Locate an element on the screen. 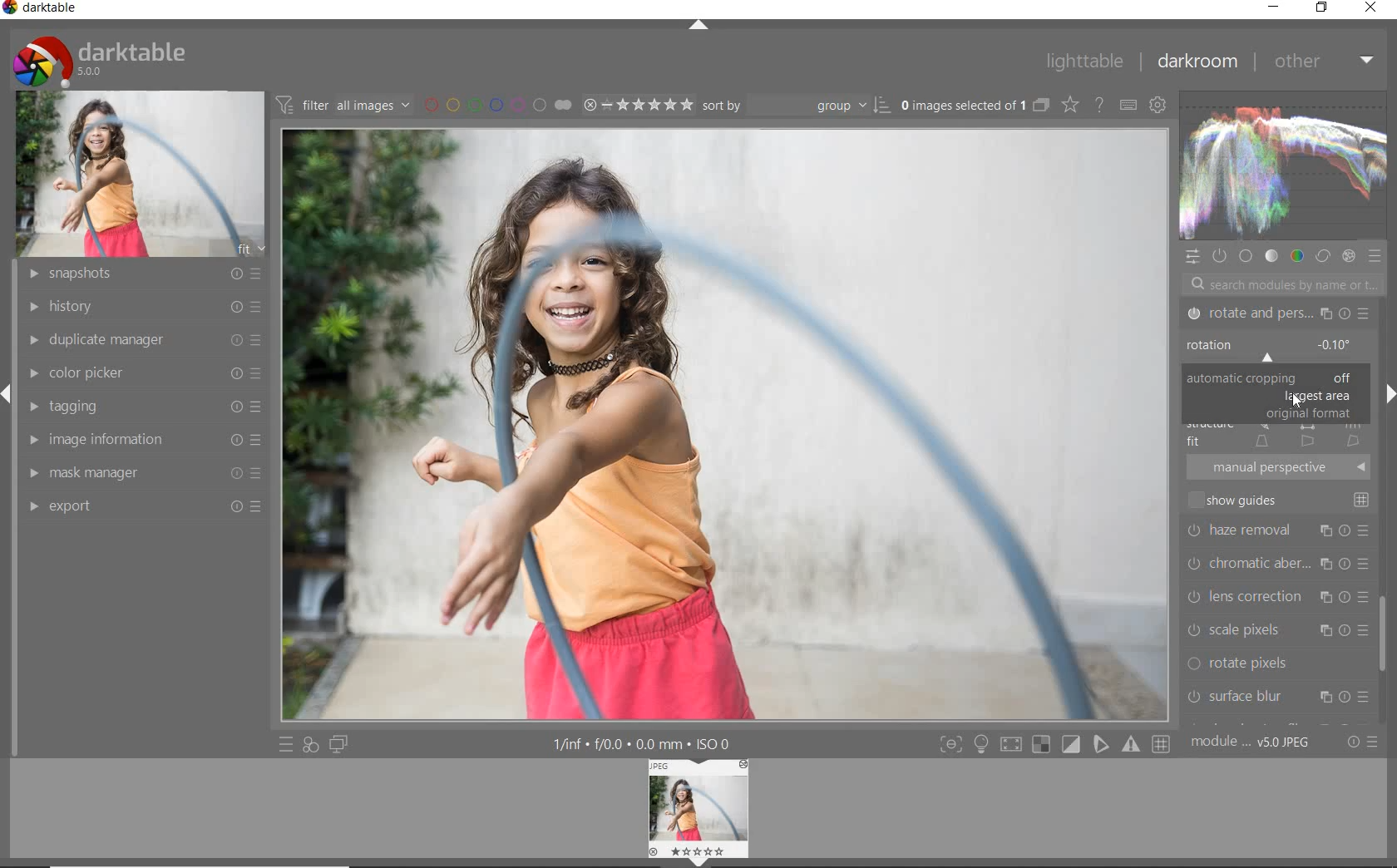 The width and height of the screenshot is (1397, 868). selected image range rating is located at coordinates (635, 105).